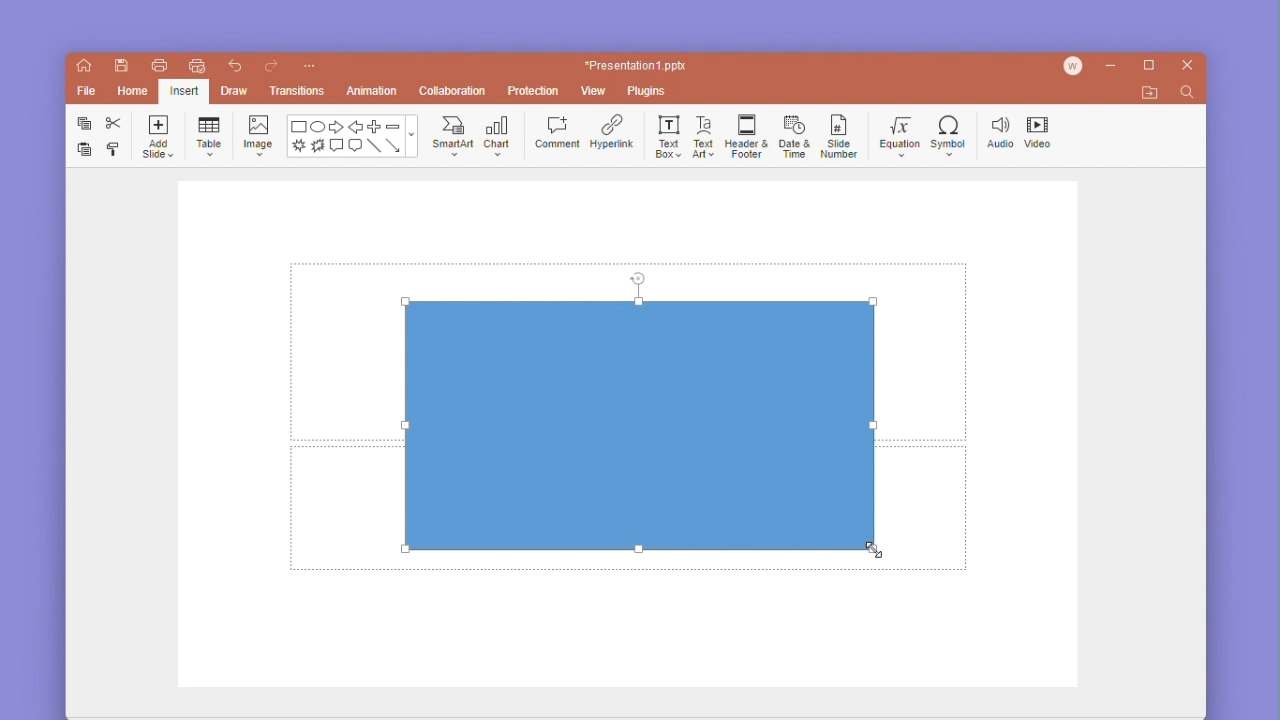  I want to click on date and time, so click(792, 134).